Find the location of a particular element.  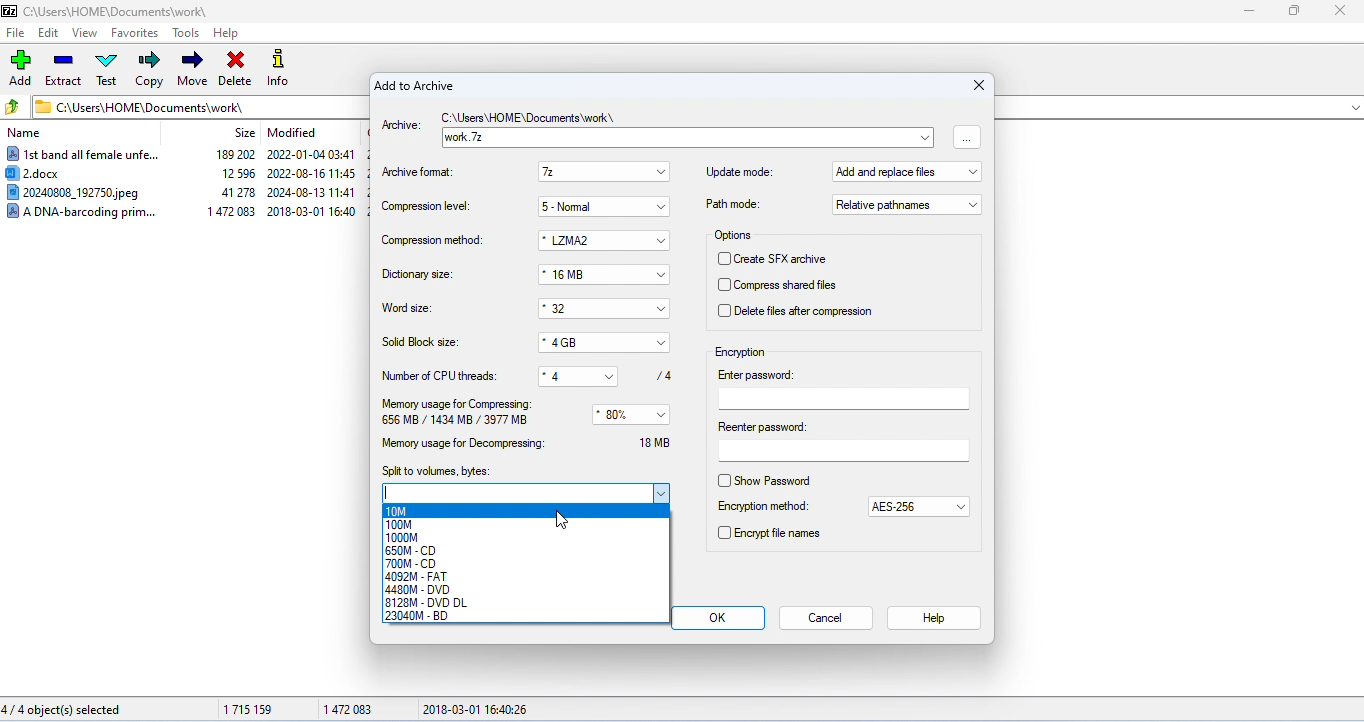

ok is located at coordinates (718, 619).